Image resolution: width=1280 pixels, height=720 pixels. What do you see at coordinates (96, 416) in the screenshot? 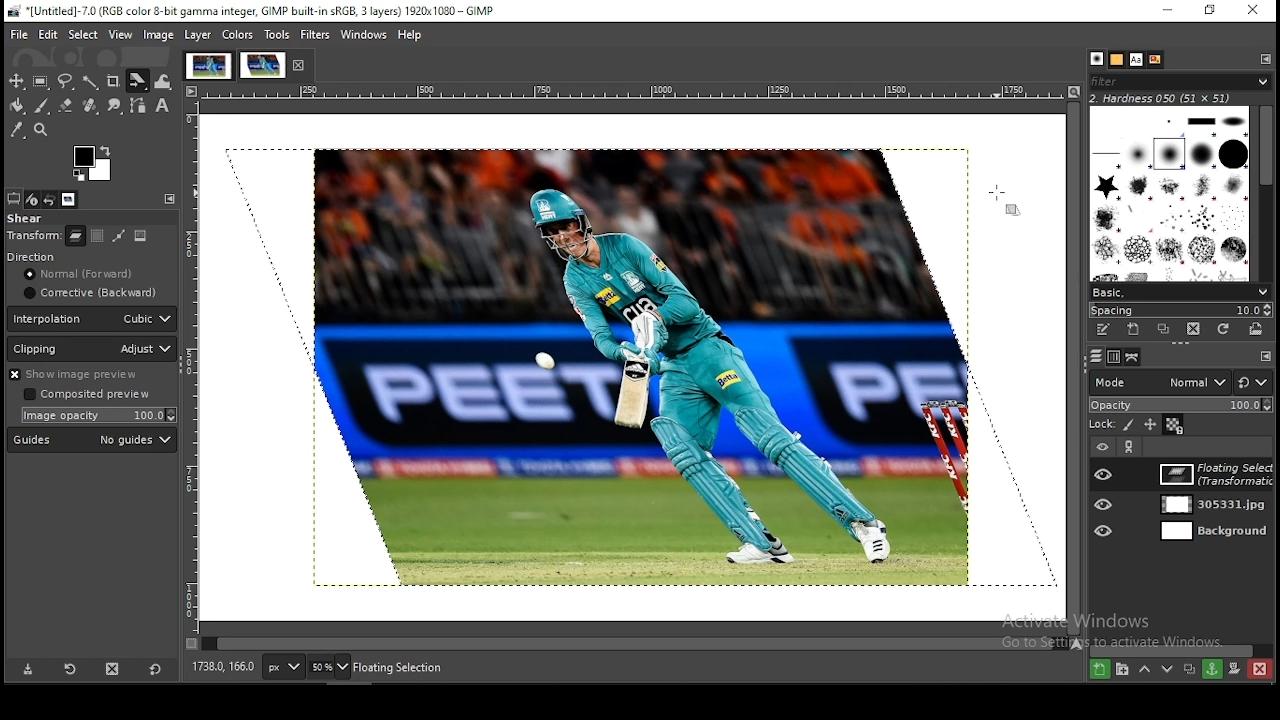
I see `image opacity` at bounding box center [96, 416].